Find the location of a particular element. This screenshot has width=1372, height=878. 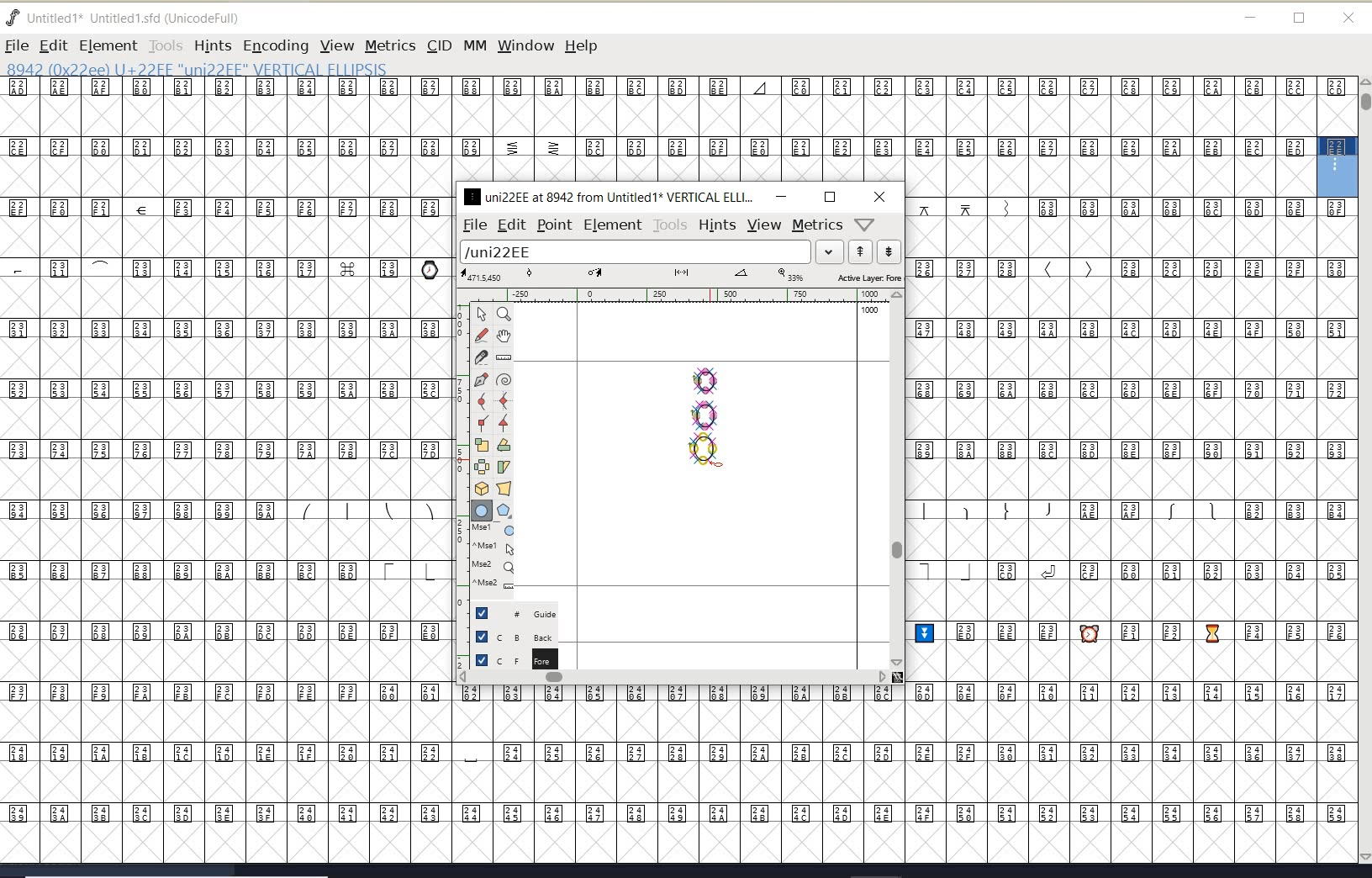

mm is located at coordinates (473, 43).